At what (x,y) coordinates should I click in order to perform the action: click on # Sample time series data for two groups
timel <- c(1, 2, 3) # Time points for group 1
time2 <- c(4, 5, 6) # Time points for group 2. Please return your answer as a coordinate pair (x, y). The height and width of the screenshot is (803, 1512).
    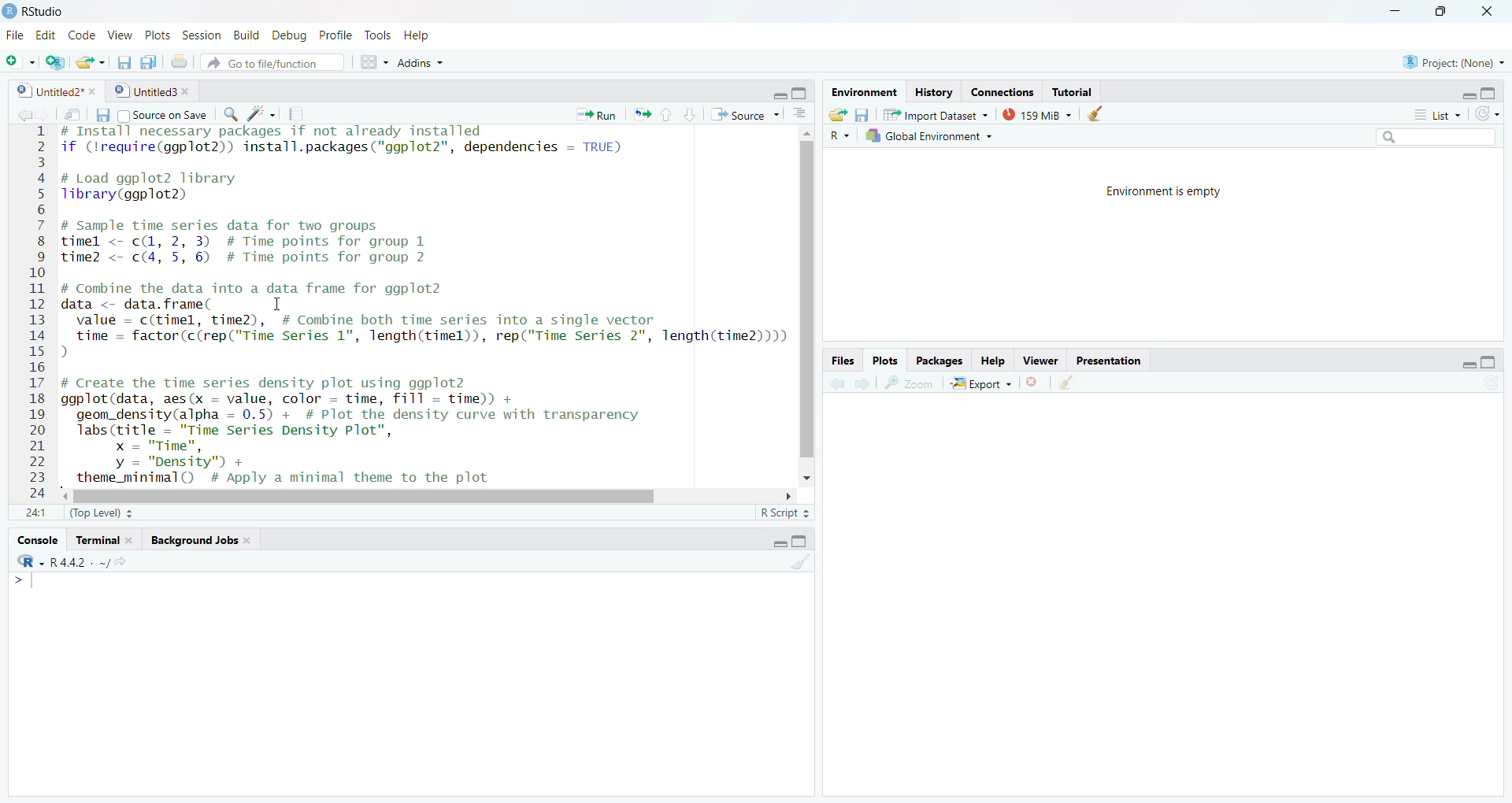
    Looking at the image, I should click on (247, 242).